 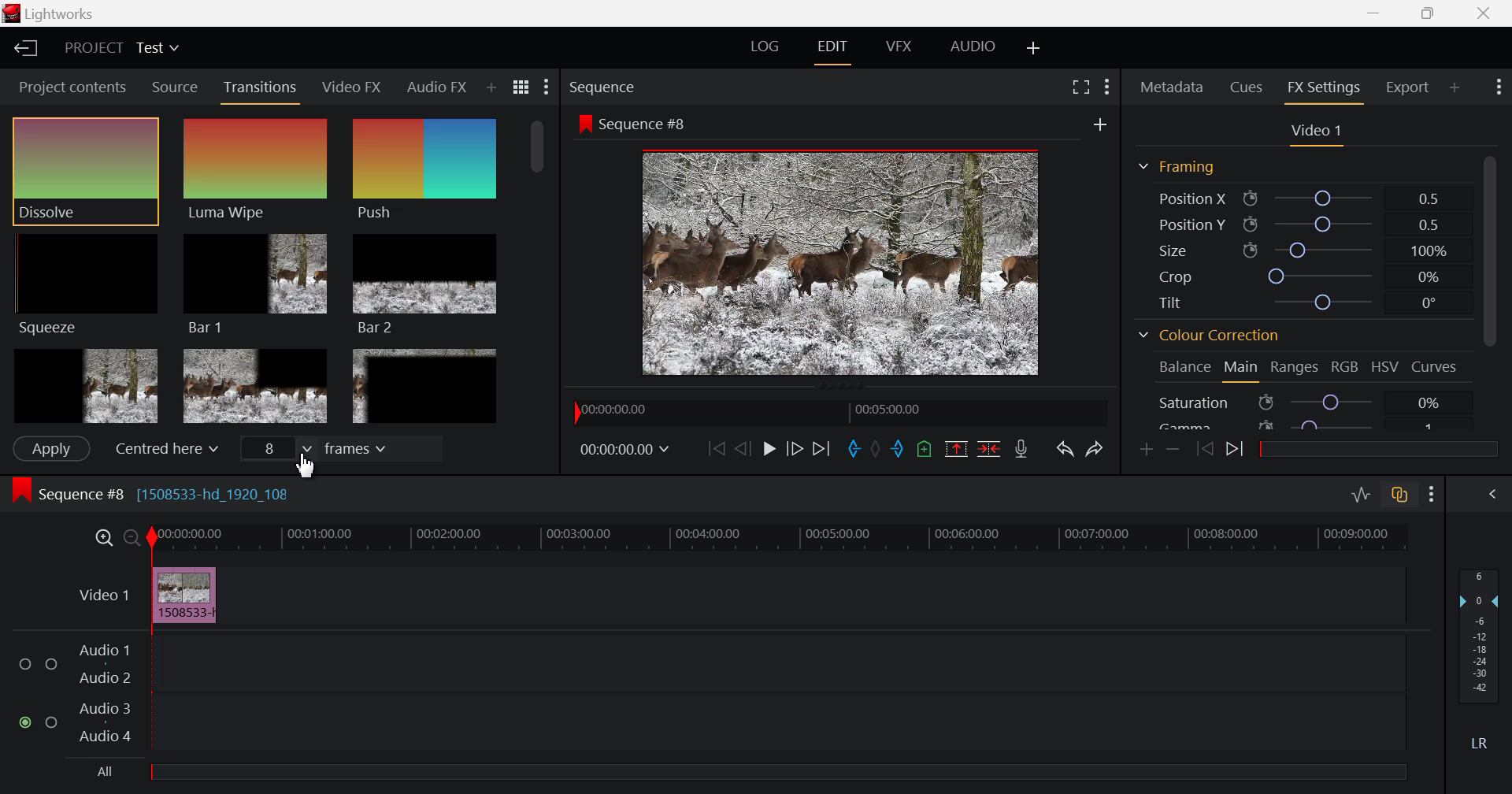 I want to click on To End, so click(x=821, y=449).